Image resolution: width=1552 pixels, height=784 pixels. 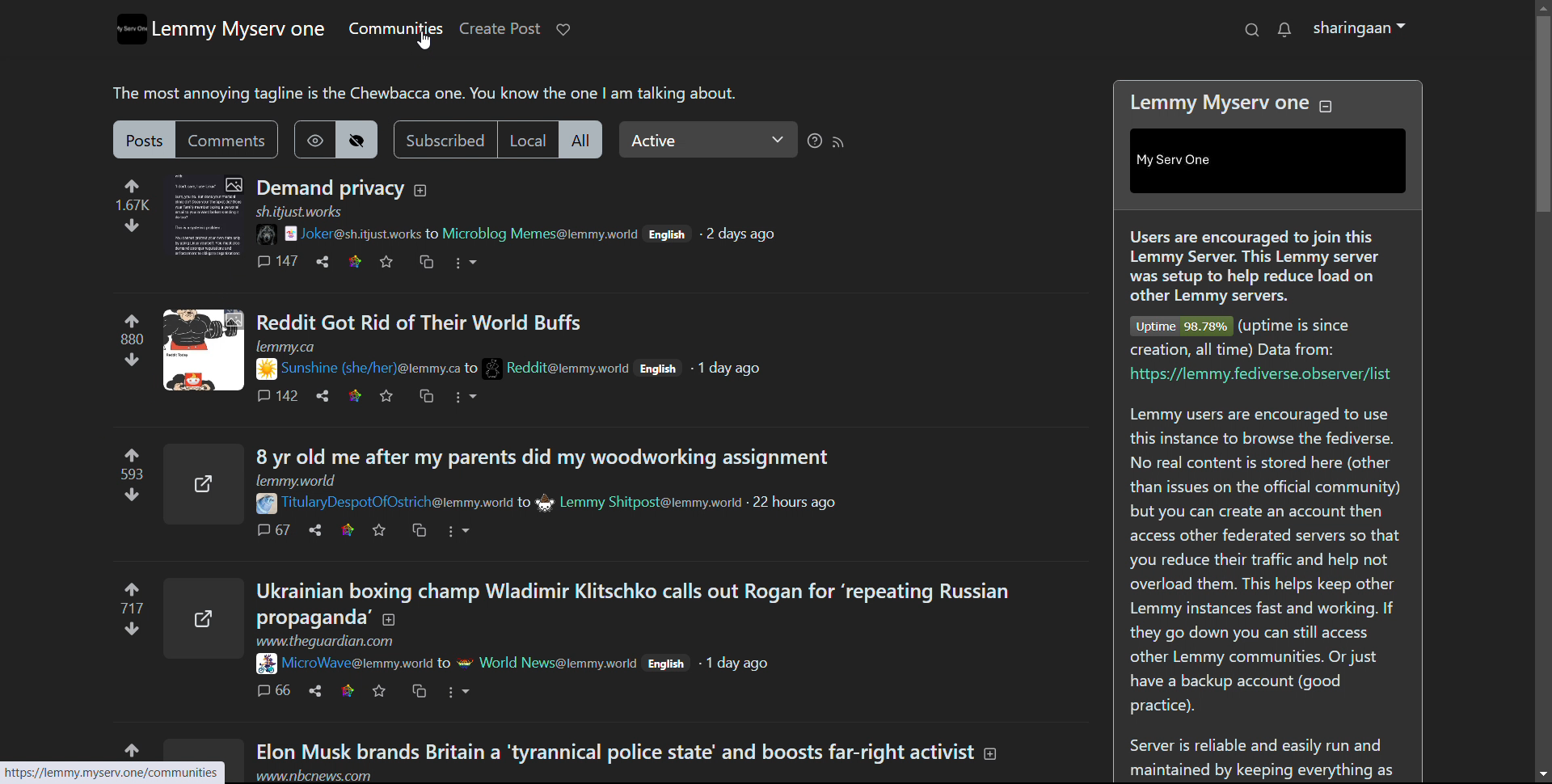 What do you see at coordinates (314, 530) in the screenshot?
I see `share` at bounding box center [314, 530].